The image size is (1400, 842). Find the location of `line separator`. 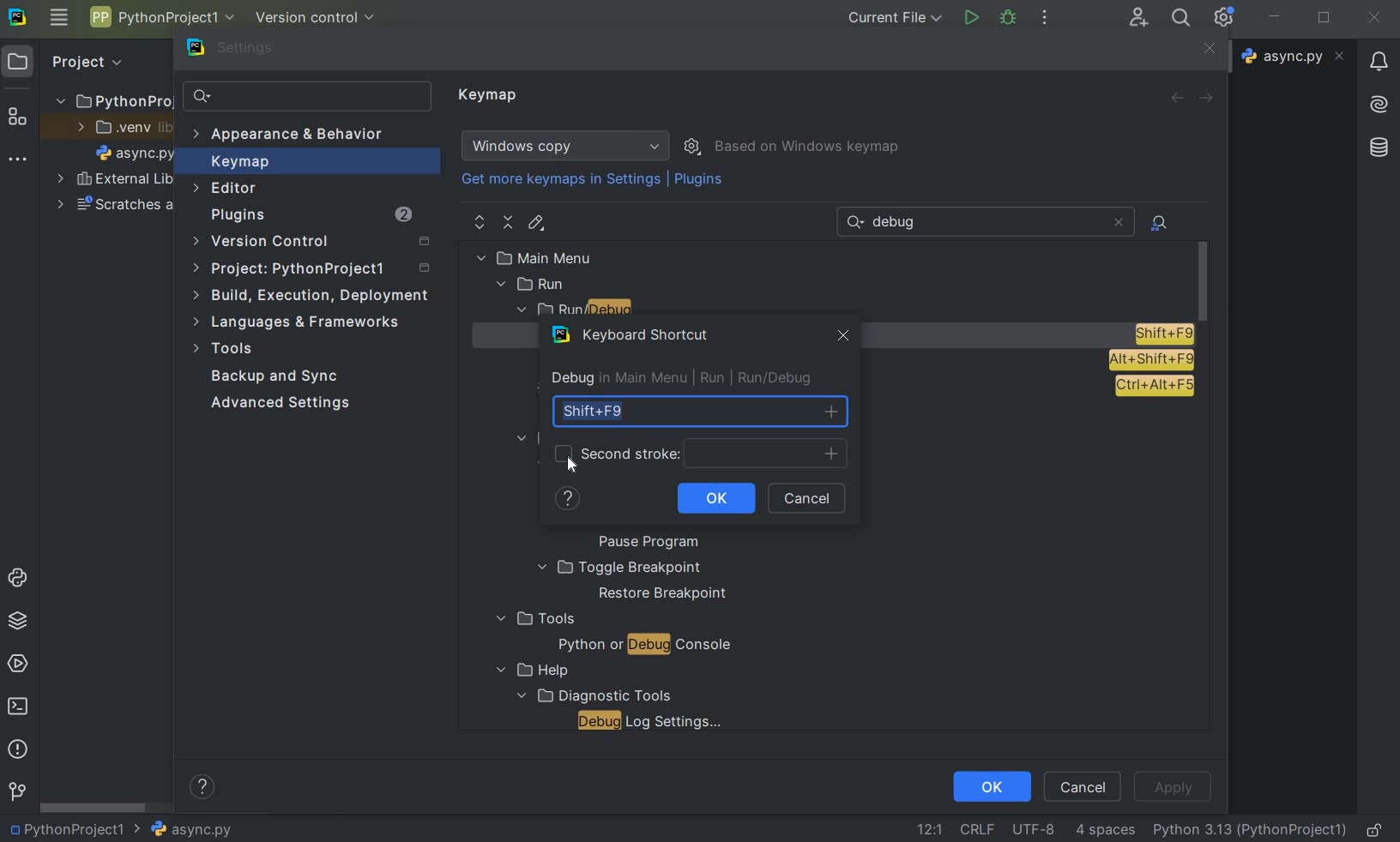

line separator is located at coordinates (976, 830).